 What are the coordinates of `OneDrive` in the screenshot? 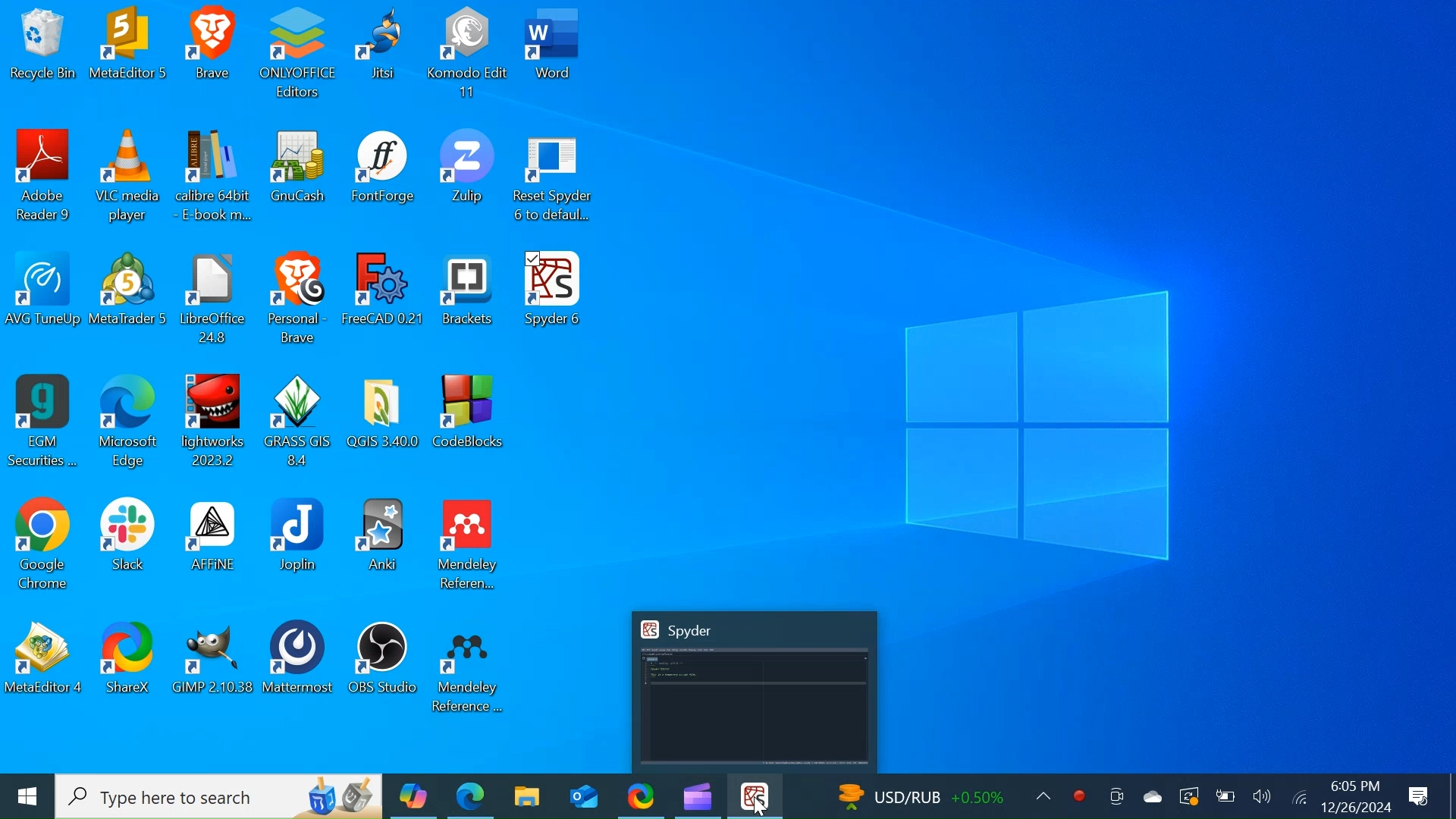 It's located at (1150, 794).